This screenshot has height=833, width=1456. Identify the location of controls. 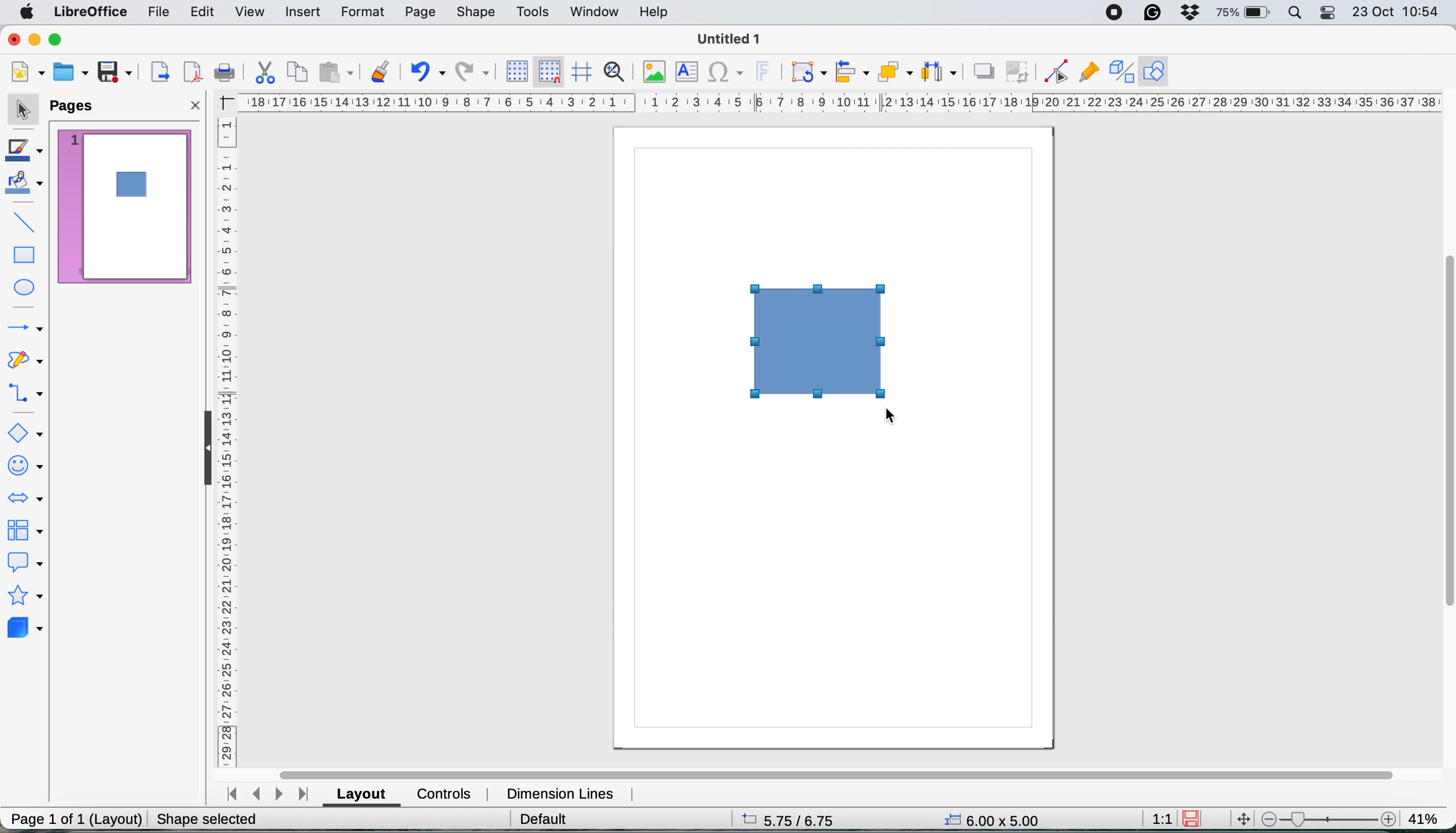
(444, 794).